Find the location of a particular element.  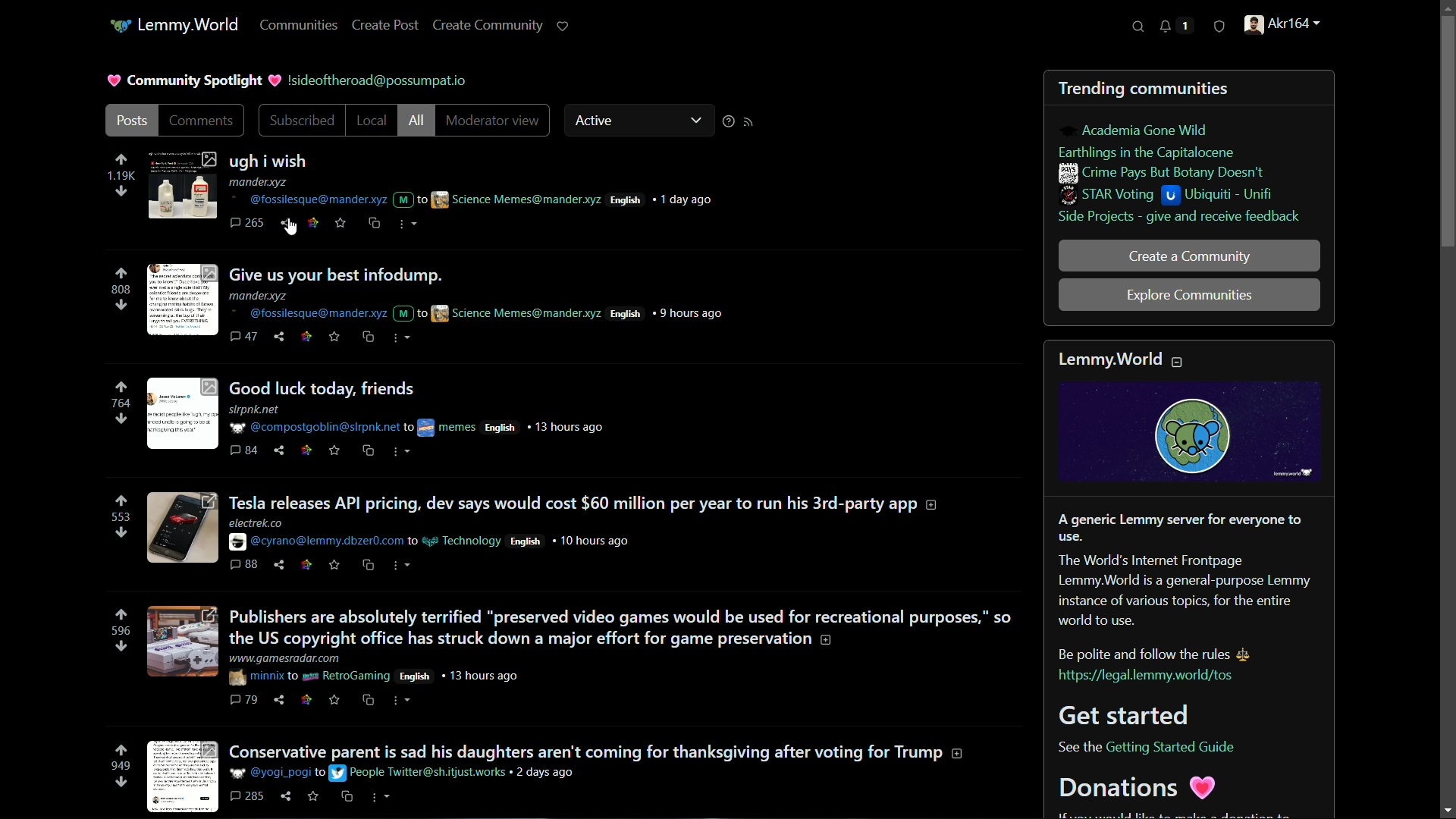

upvote is located at coordinates (122, 386).